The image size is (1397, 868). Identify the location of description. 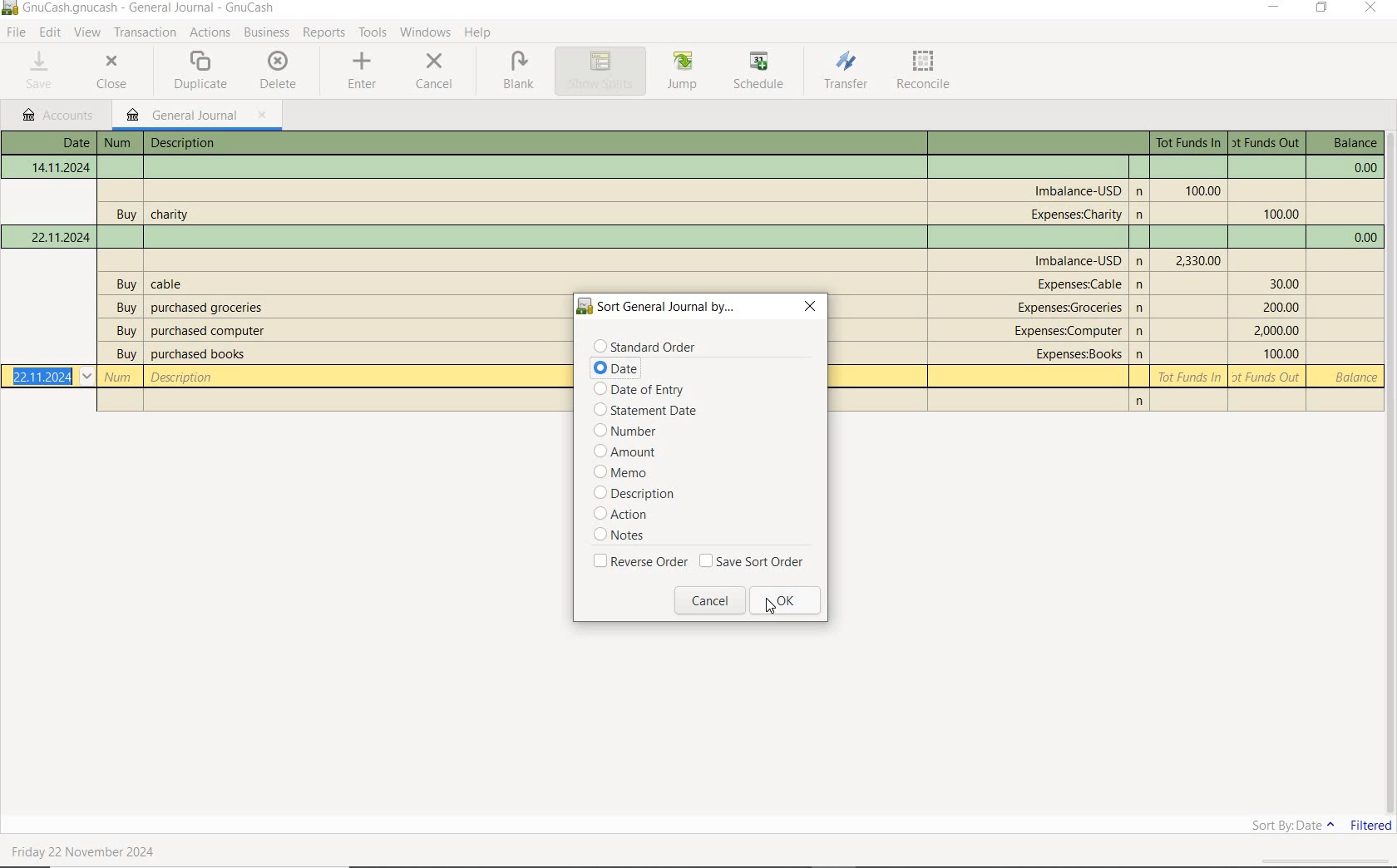
(198, 355).